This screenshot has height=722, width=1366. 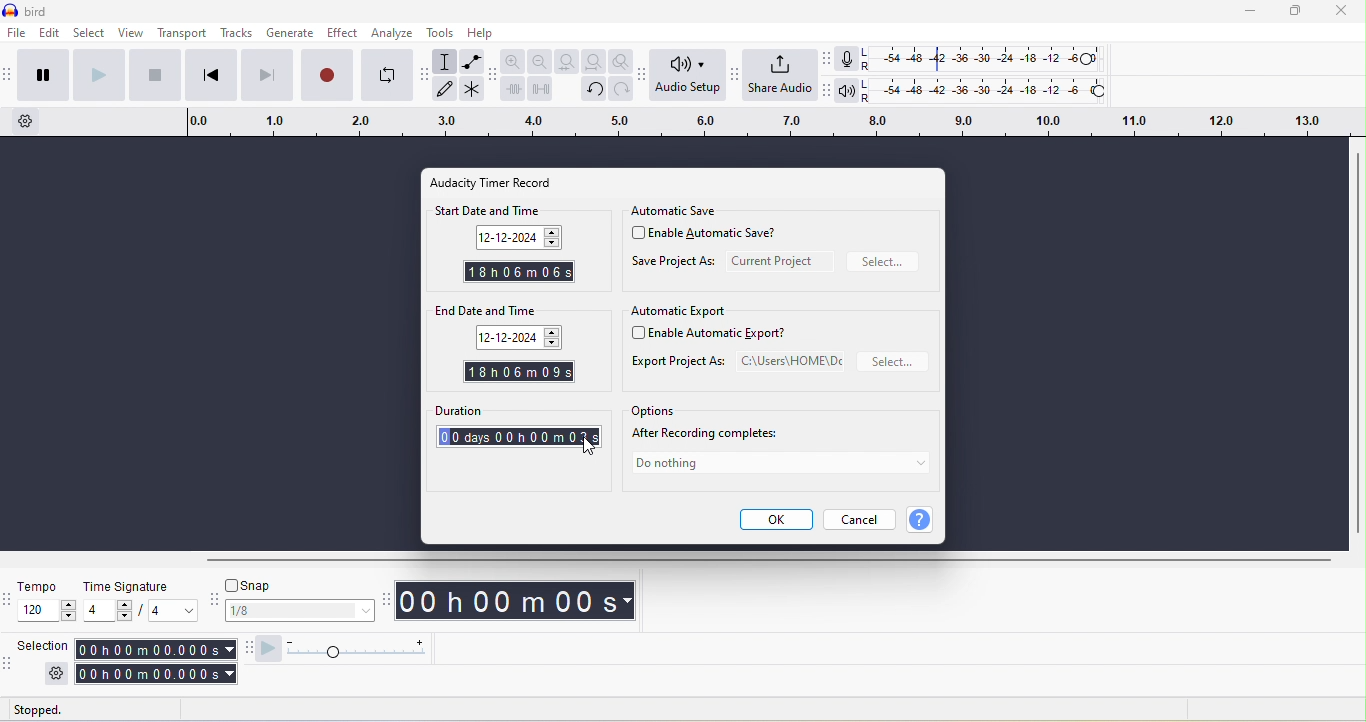 What do you see at coordinates (88, 34) in the screenshot?
I see `select` at bounding box center [88, 34].